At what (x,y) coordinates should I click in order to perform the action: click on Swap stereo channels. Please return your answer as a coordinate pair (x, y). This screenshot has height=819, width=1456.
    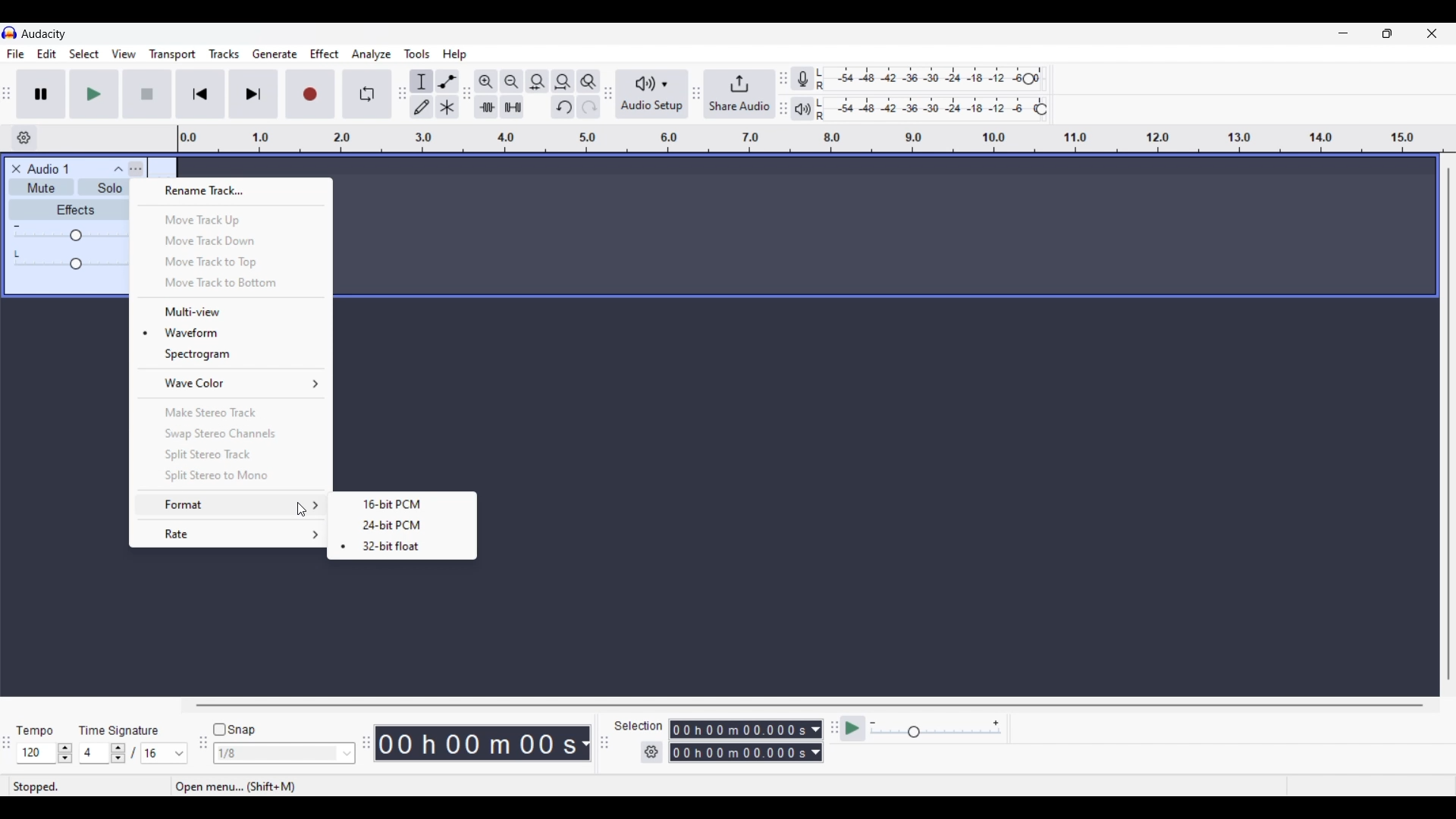
    Looking at the image, I should click on (231, 435).